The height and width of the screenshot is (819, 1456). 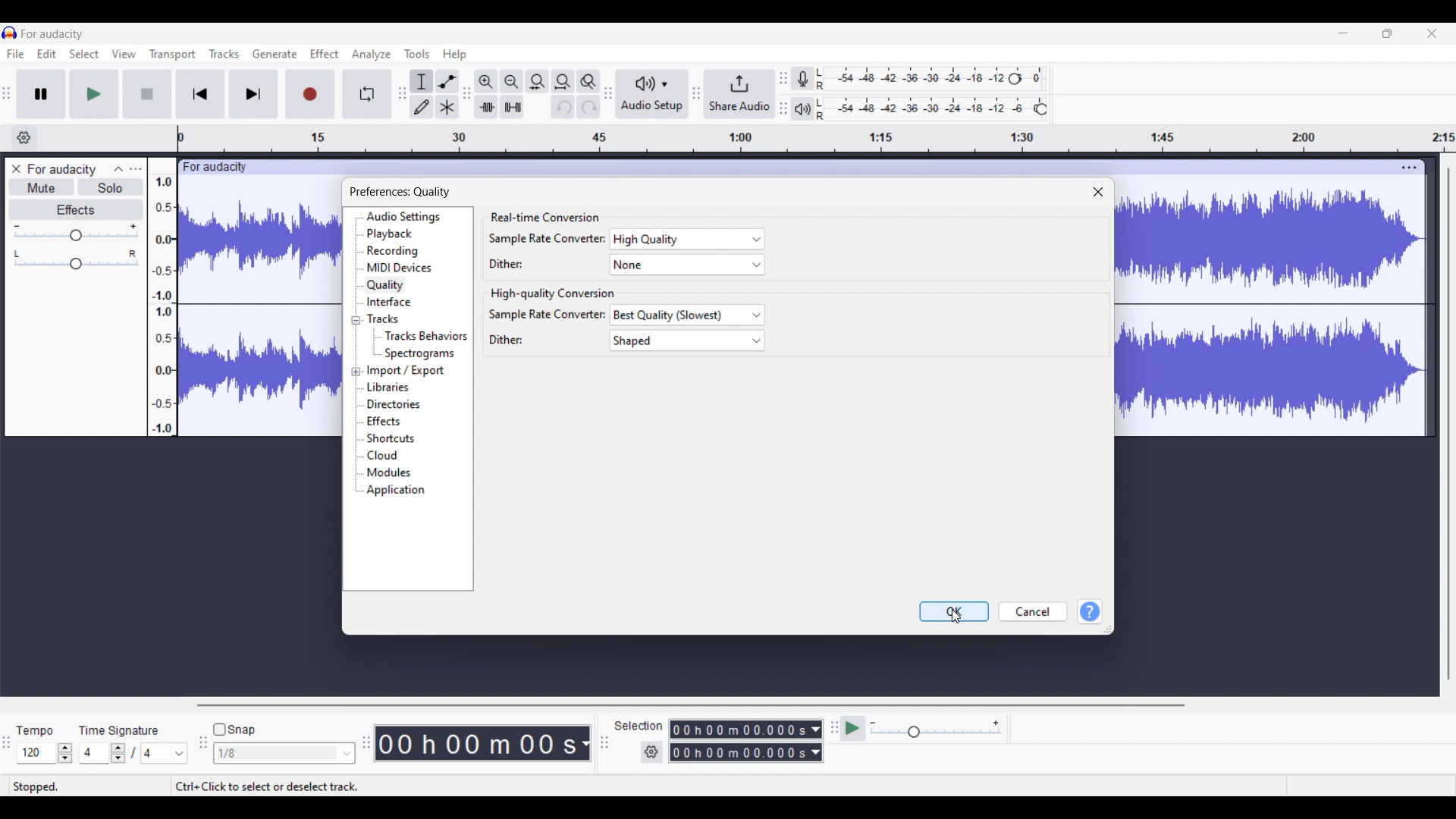 I want to click on Pan to left, so click(x=17, y=254).